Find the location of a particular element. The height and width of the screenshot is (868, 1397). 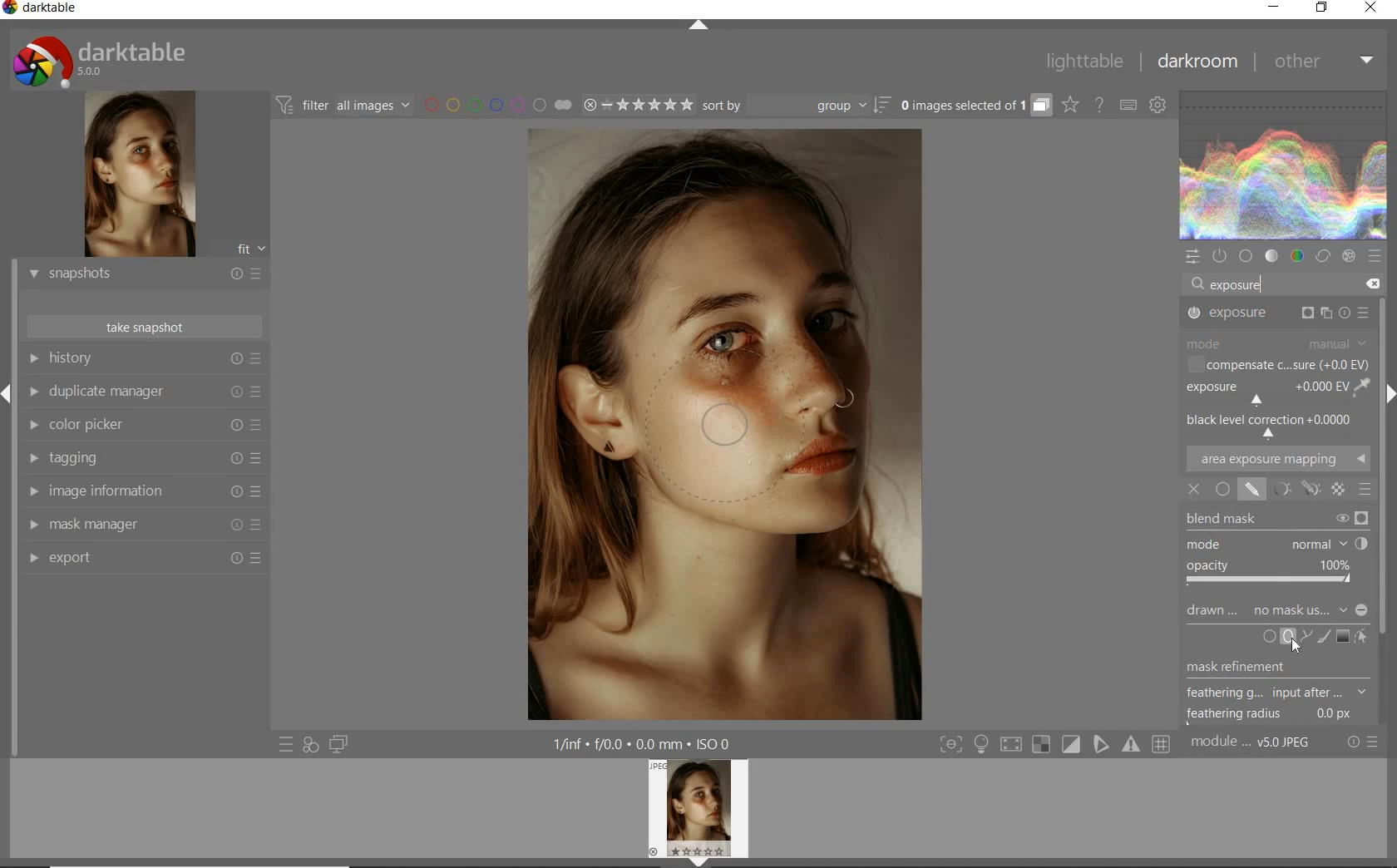

lighttable is located at coordinates (1088, 60).